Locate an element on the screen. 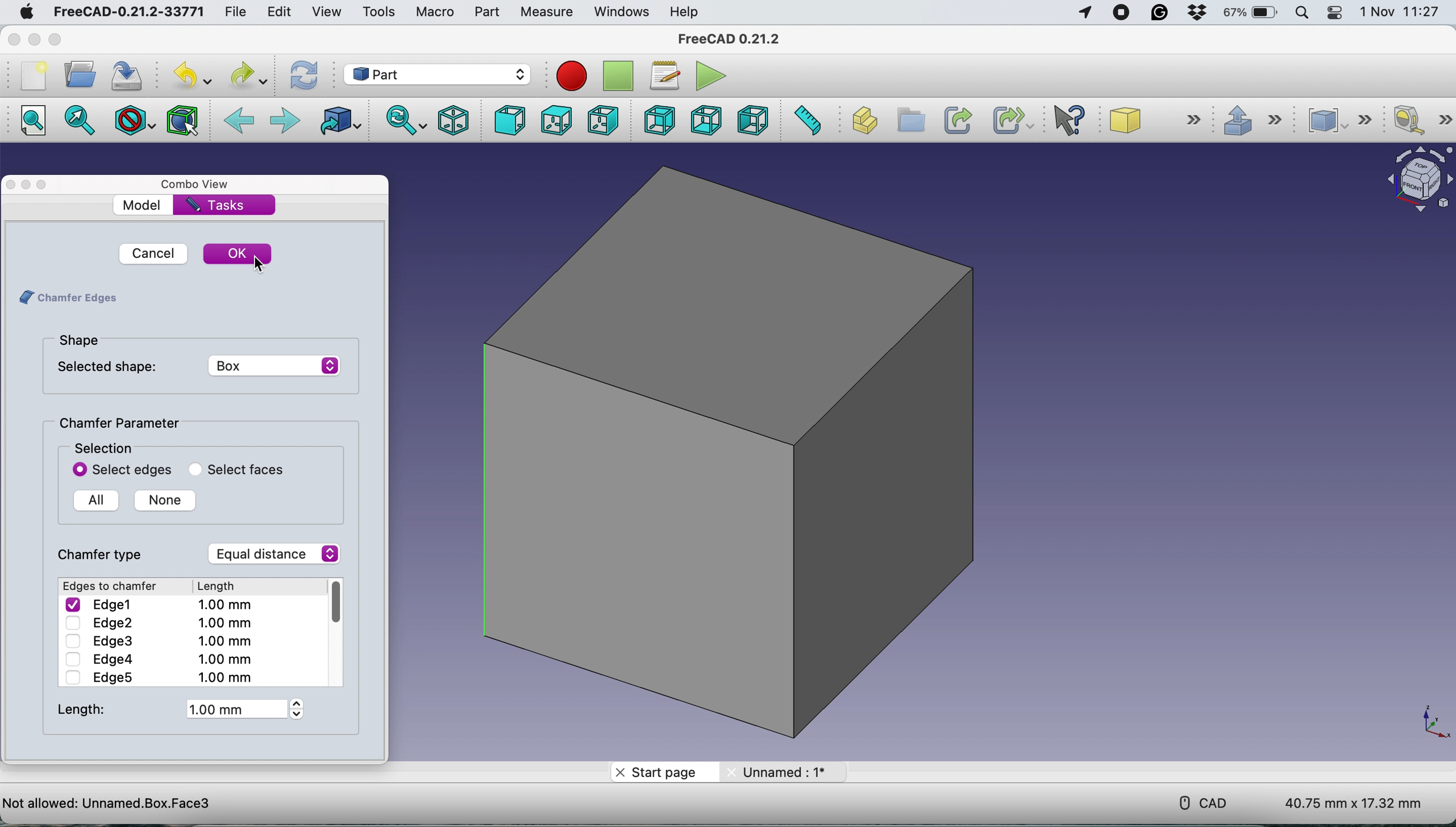 This screenshot has width=1456, height=827. lenght is located at coordinates (88, 710).